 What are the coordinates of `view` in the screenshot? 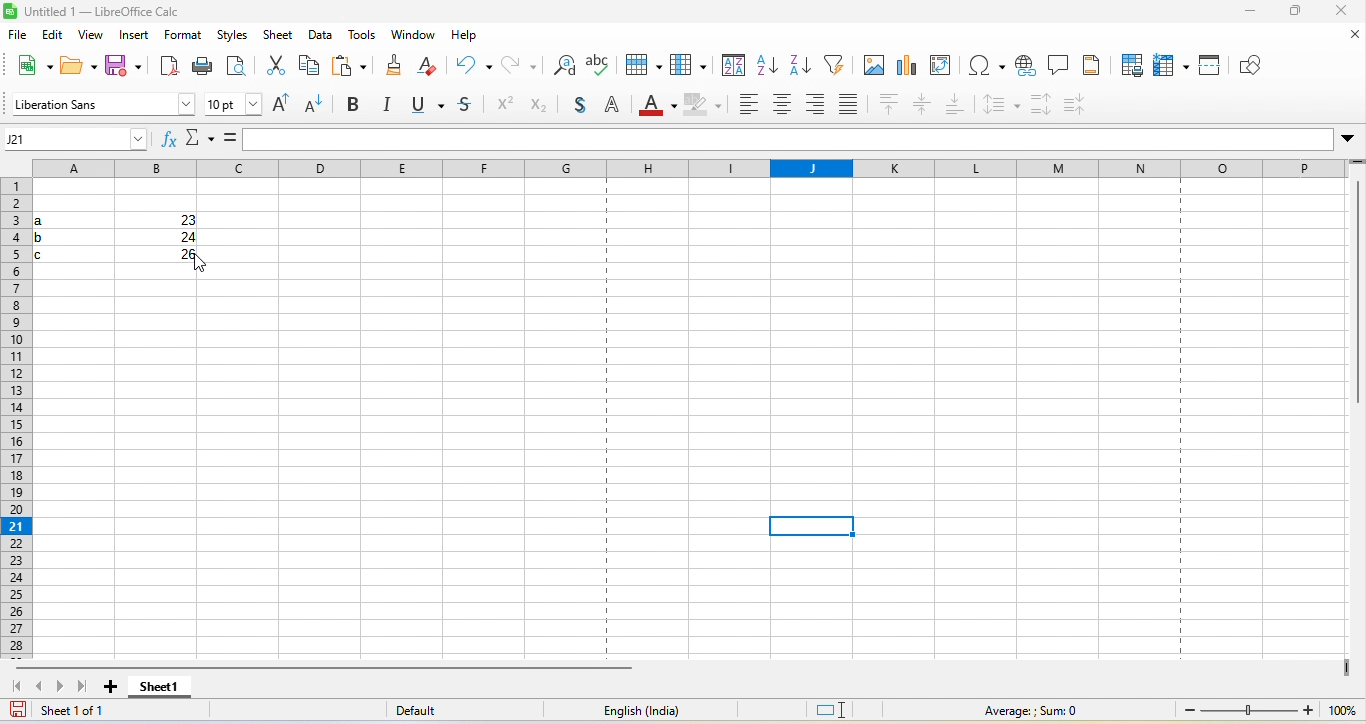 It's located at (92, 35).